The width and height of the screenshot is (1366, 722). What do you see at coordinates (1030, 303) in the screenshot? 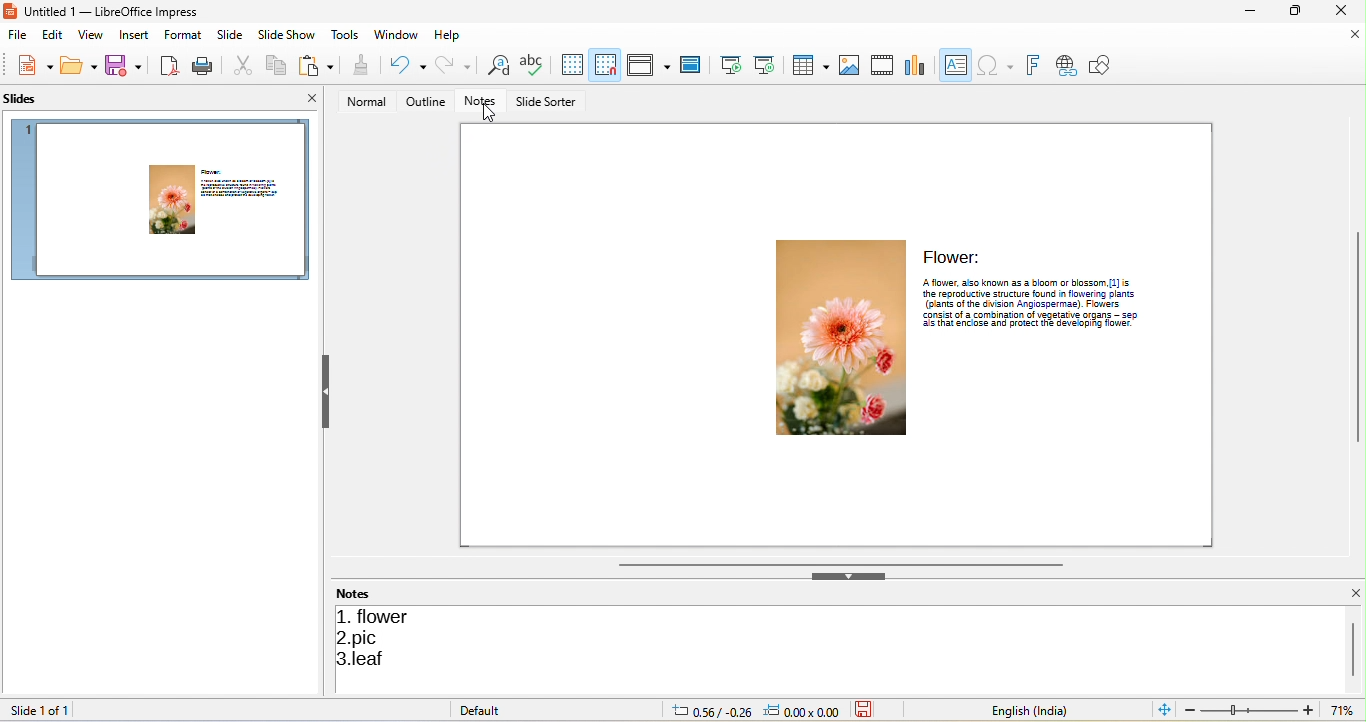
I see `(plans of the division Angiospermae). Flowers` at bounding box center [1030, 303].